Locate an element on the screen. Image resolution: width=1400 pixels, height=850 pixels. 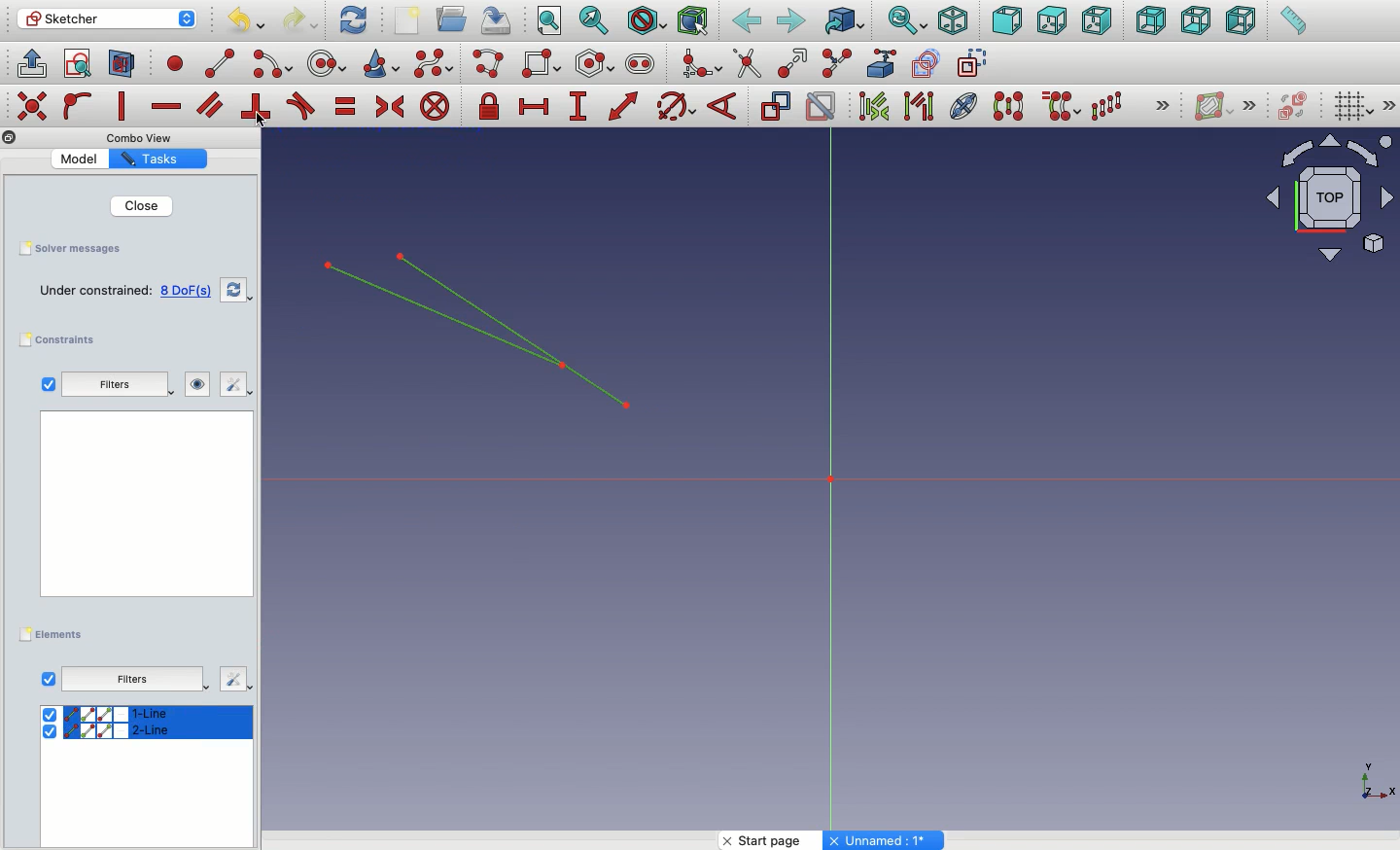
View is located at coordinates (48, 678).